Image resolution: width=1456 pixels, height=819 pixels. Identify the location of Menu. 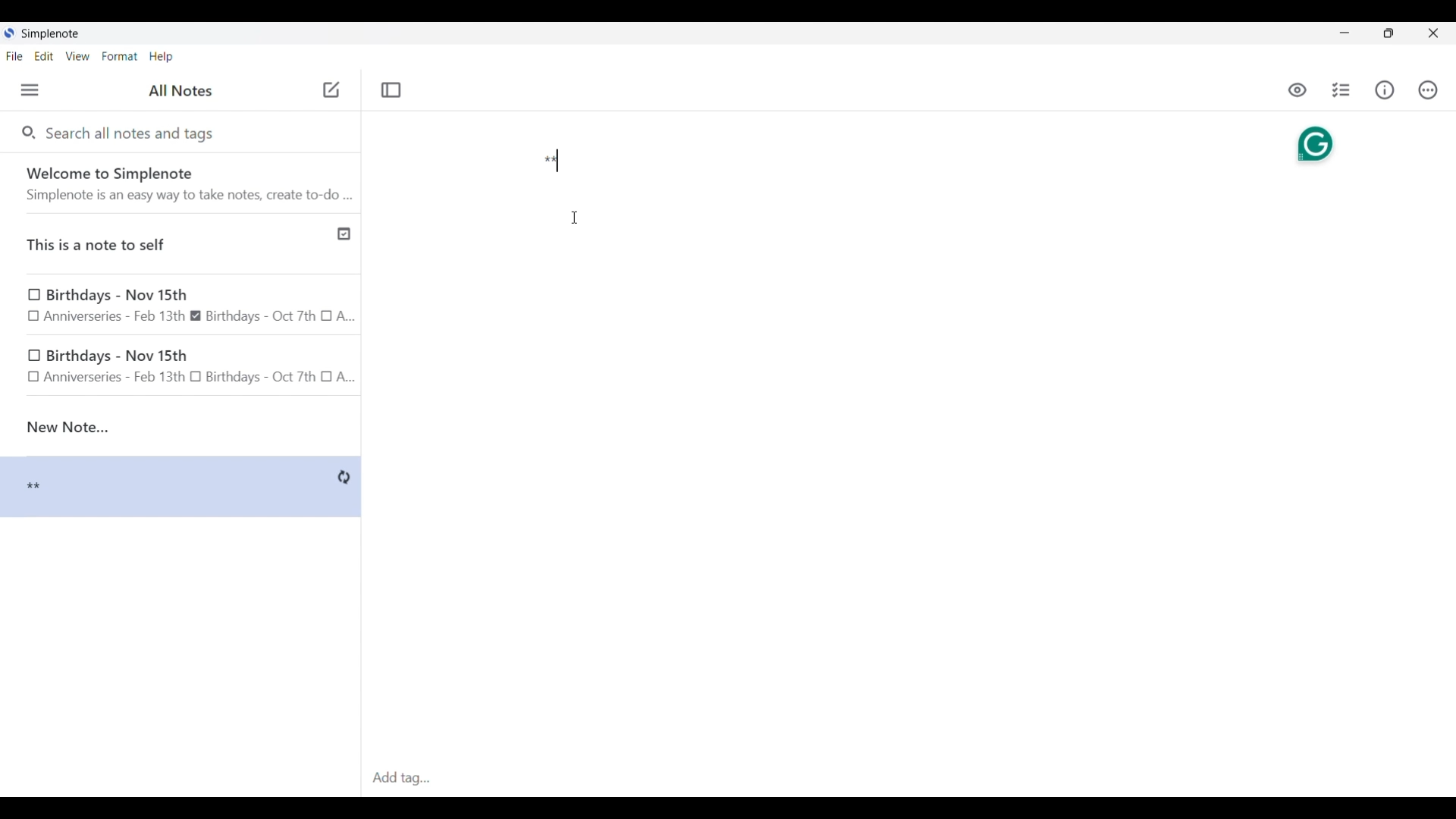
(30, 89).